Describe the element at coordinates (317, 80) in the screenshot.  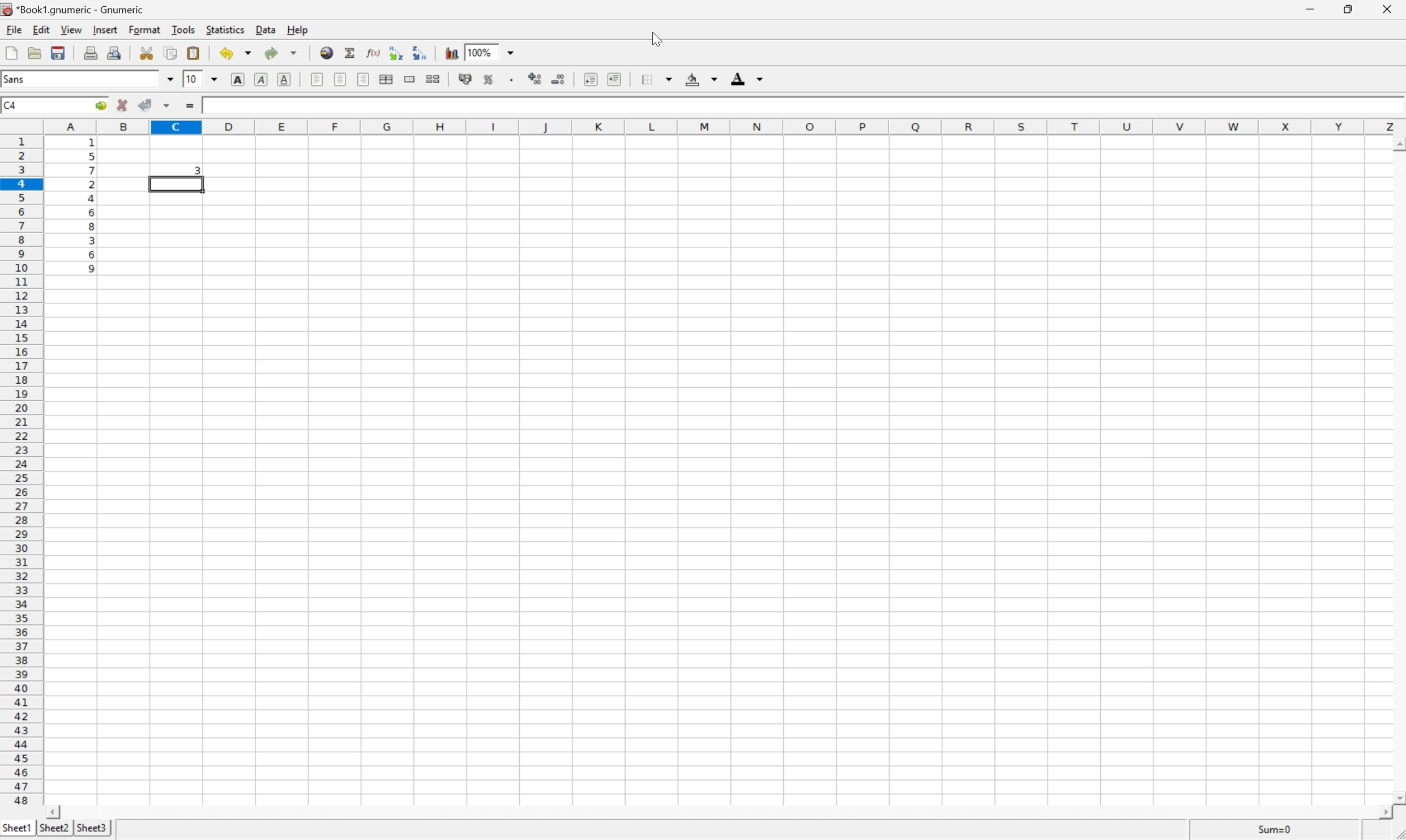
I see `align left` at that location.